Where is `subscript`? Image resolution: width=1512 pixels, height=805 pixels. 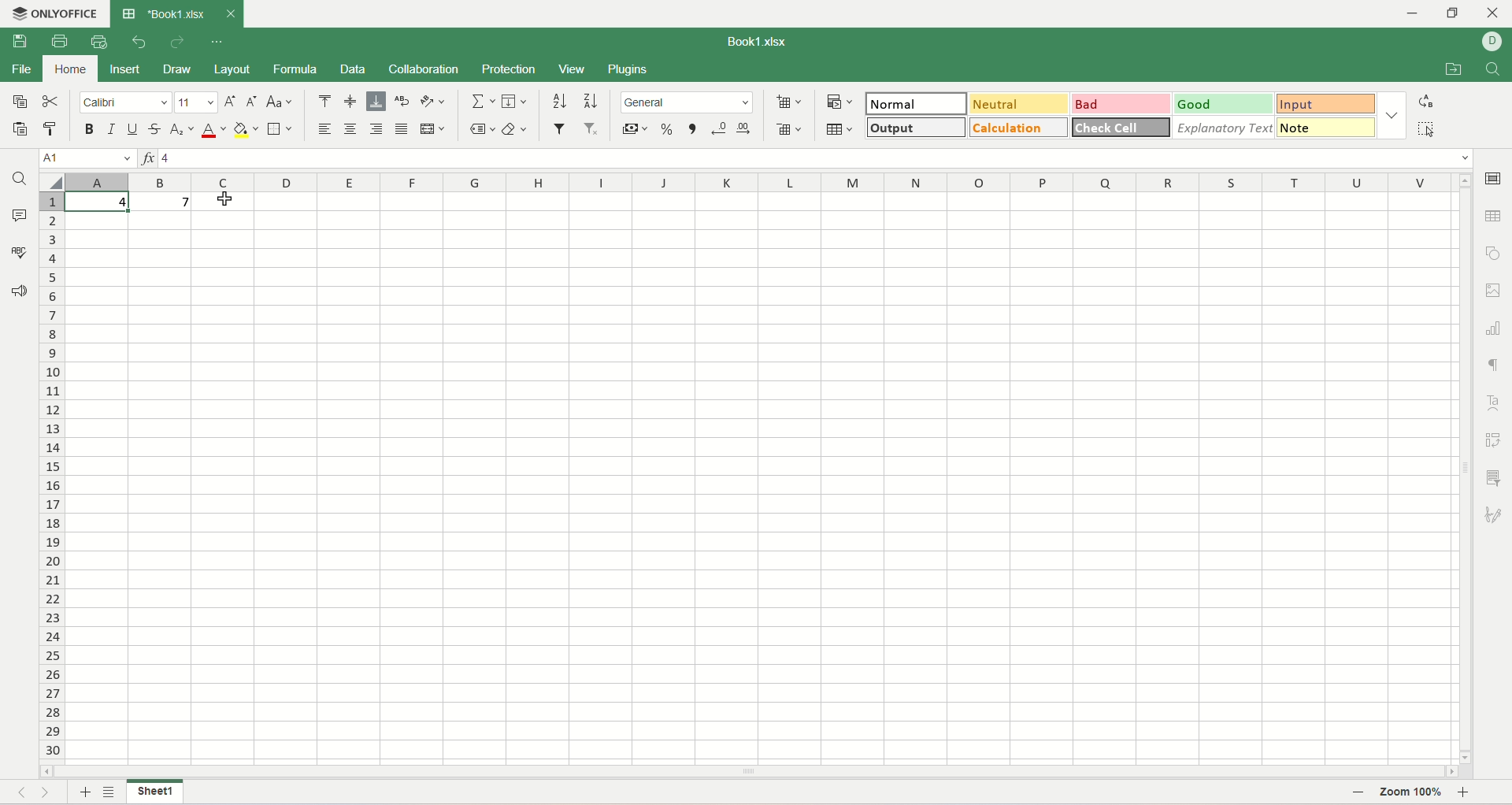
subscript is located at coordinates (183, 129).